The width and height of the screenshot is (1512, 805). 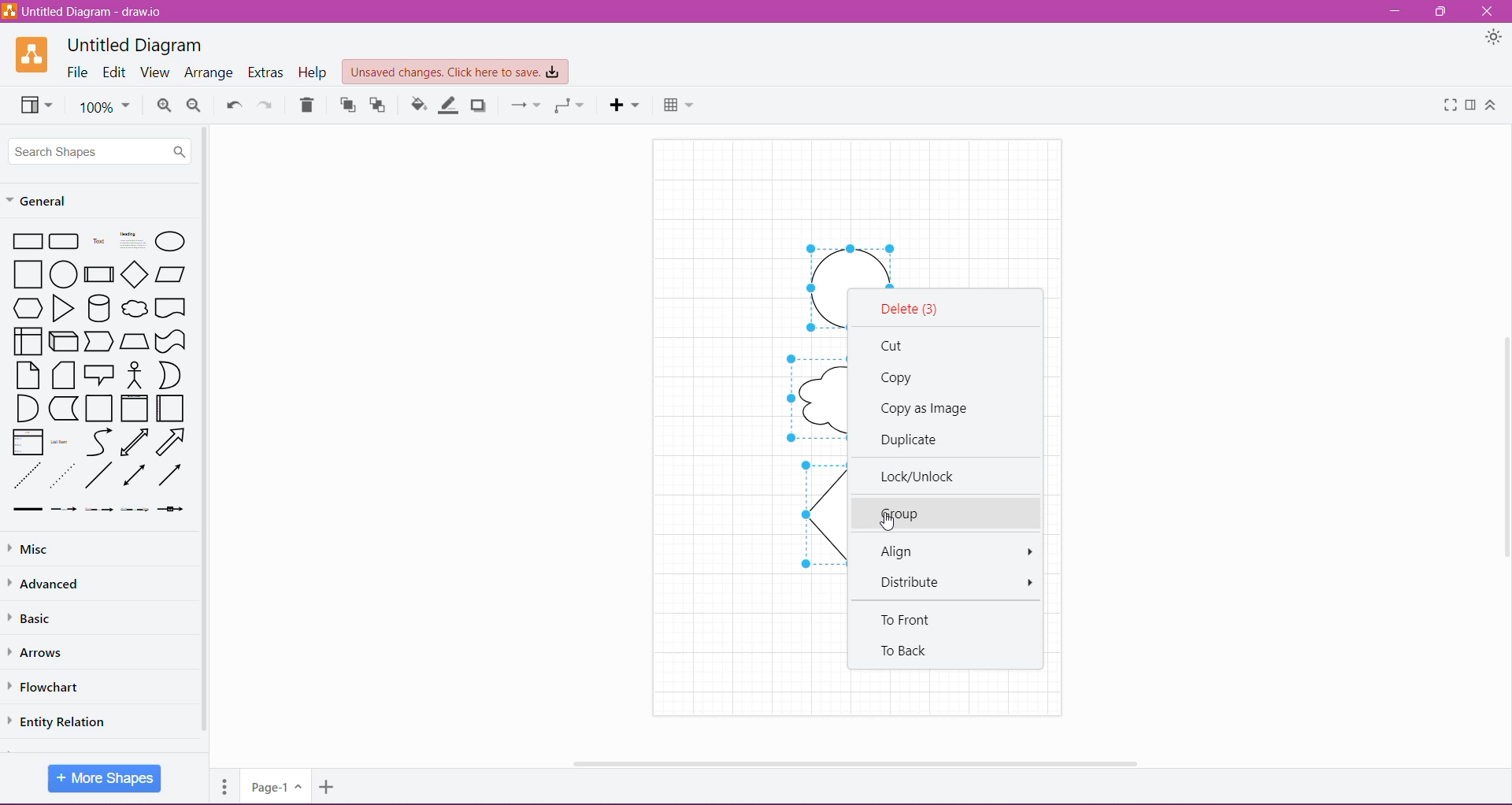 I want to click on Connection, so click(x=523, y=104).